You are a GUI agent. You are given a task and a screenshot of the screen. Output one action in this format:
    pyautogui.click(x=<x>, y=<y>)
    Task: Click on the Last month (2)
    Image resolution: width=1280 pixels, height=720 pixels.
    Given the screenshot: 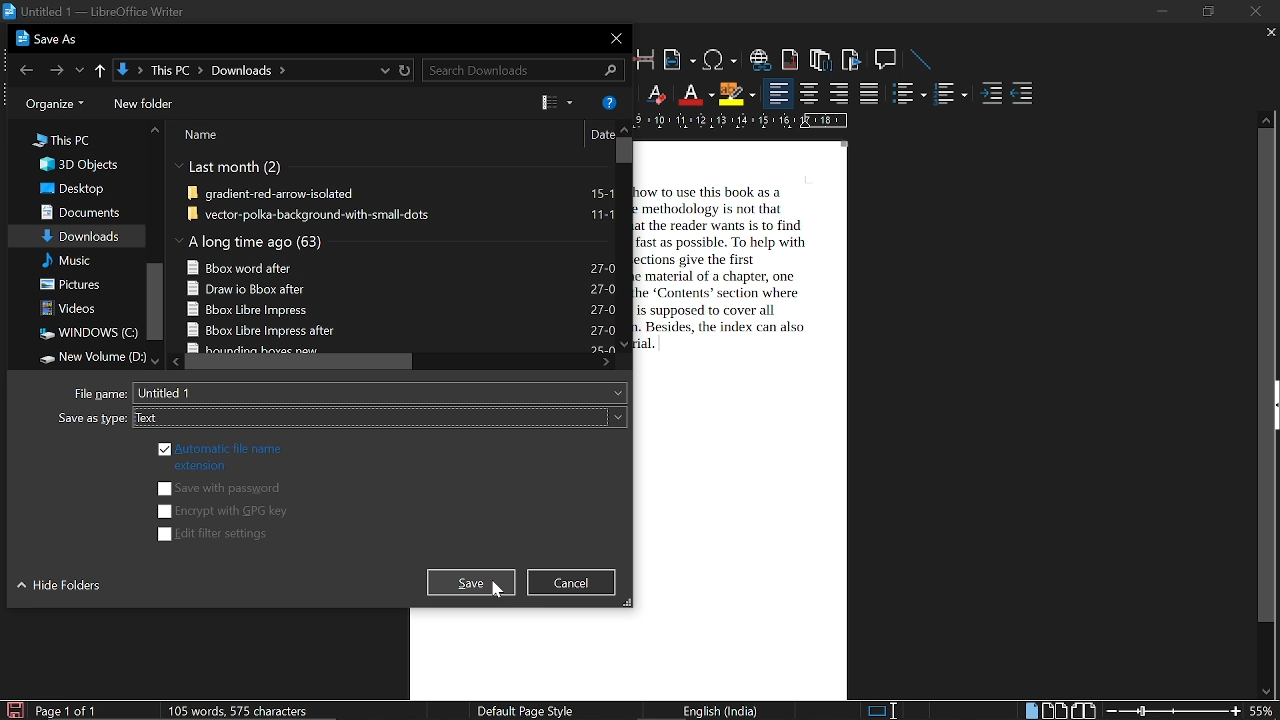 What is the action you would take?
    pyautogui.click(x=230, y=168)
    